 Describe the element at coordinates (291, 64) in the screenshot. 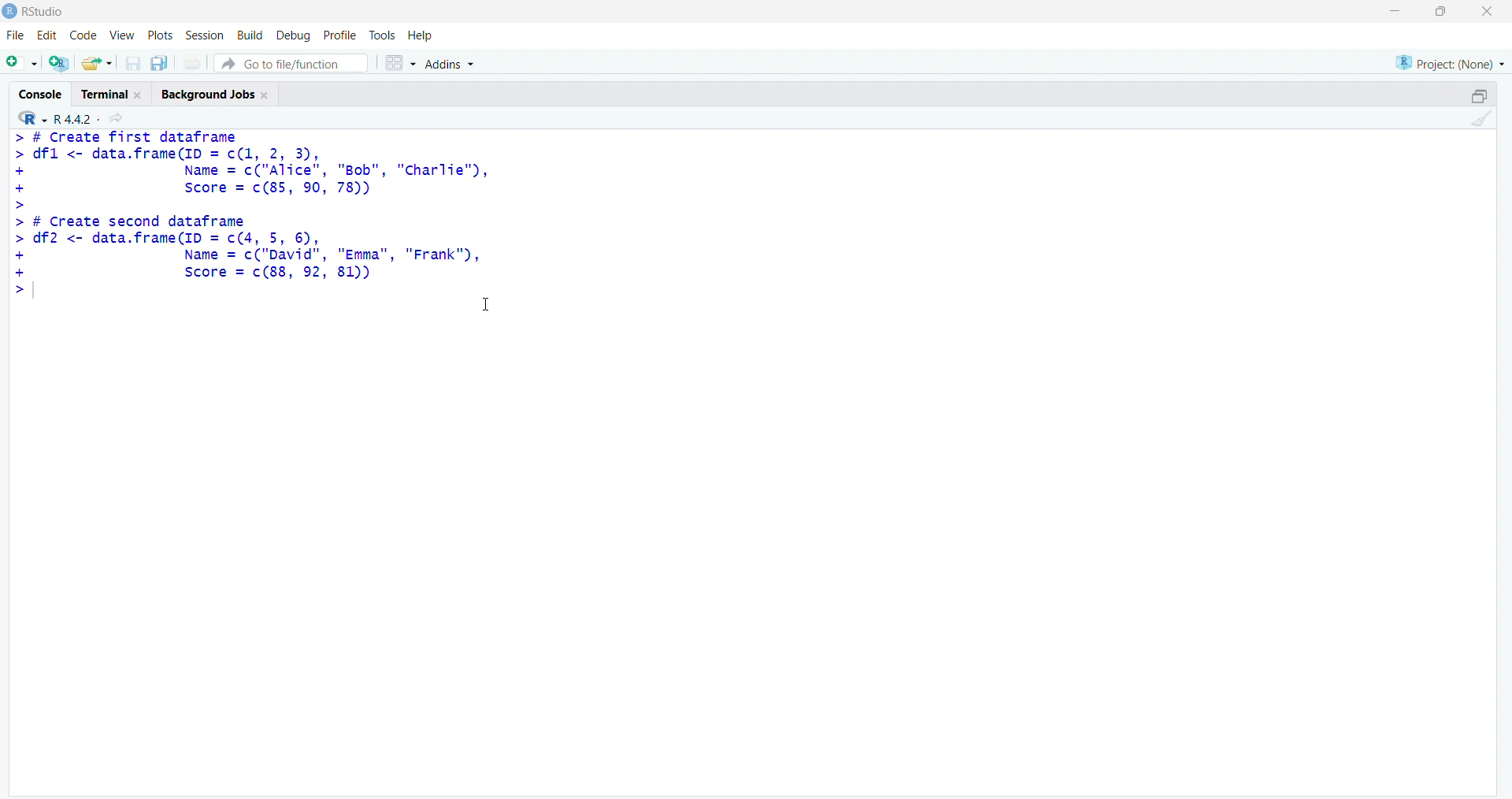

I see ` Go to file/function` at that location.